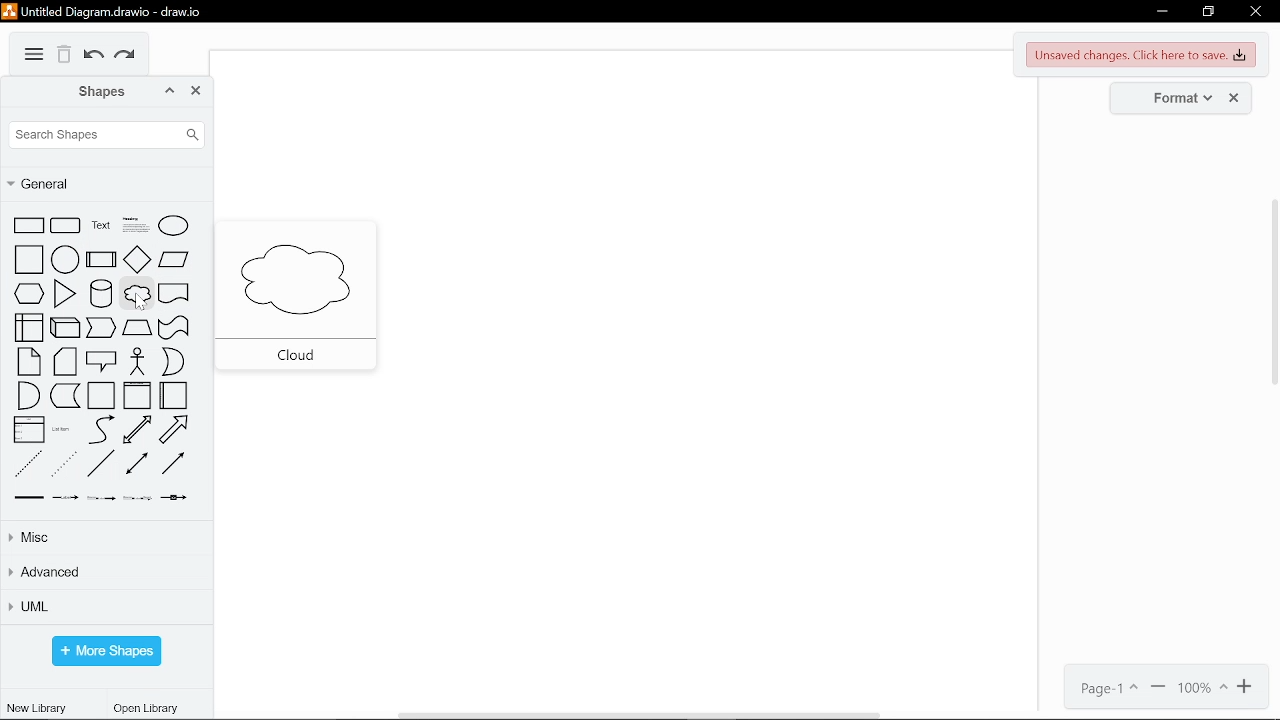 The height and width of the screenshot is (720, 1280). I want to click on line, so click(102, 463).